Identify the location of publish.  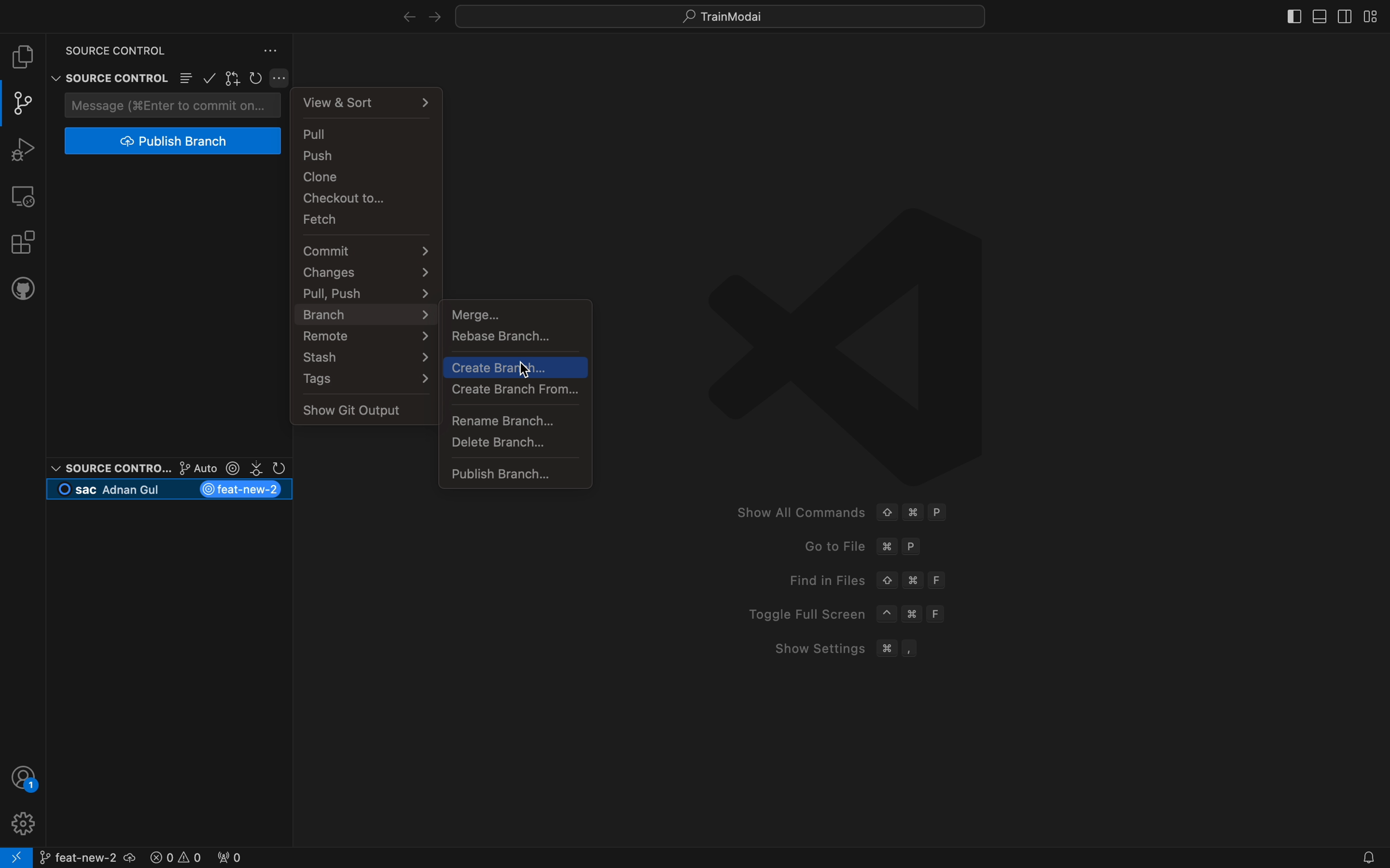
(175, 141).